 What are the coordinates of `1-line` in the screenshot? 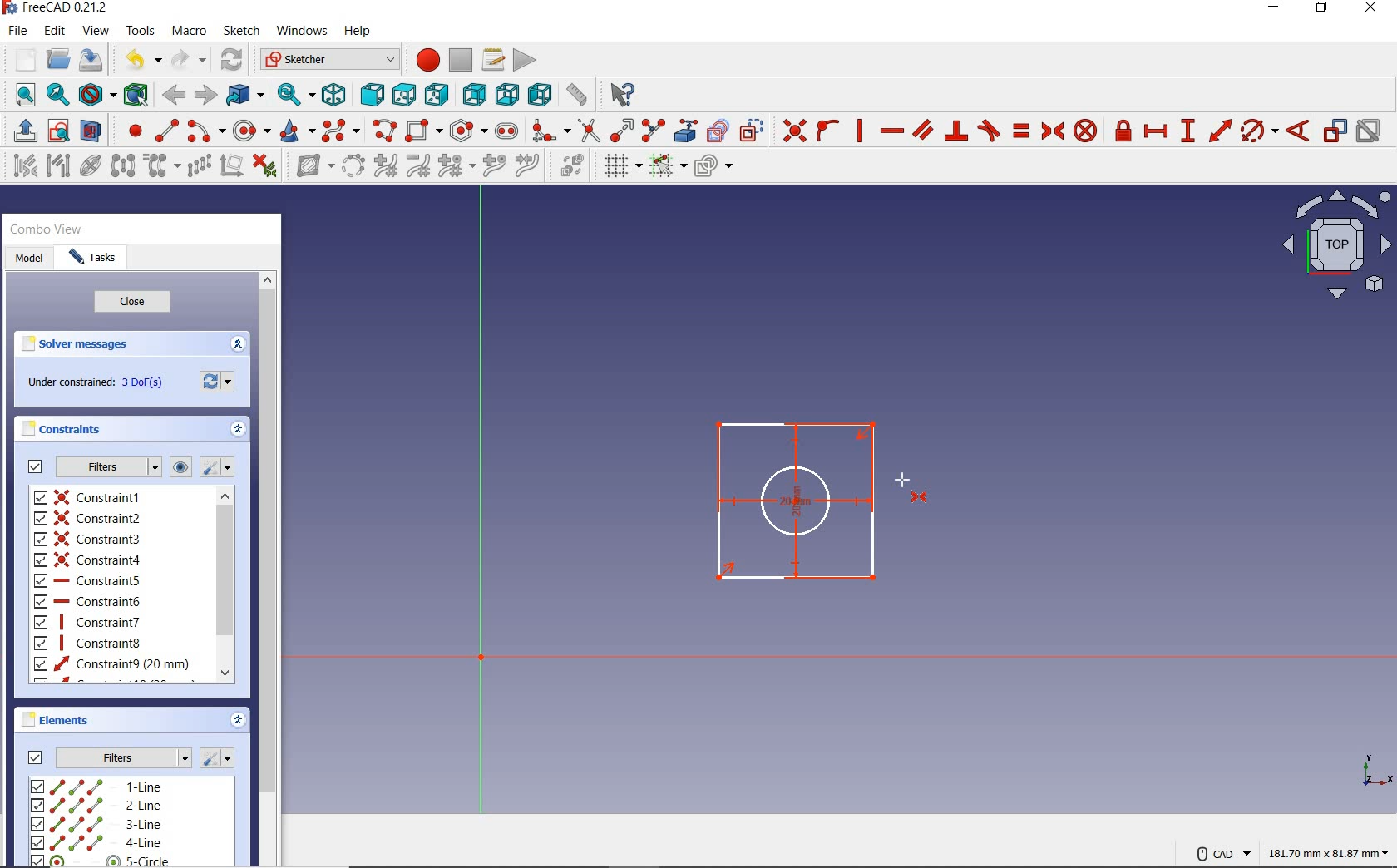 It's located at (130, 787).